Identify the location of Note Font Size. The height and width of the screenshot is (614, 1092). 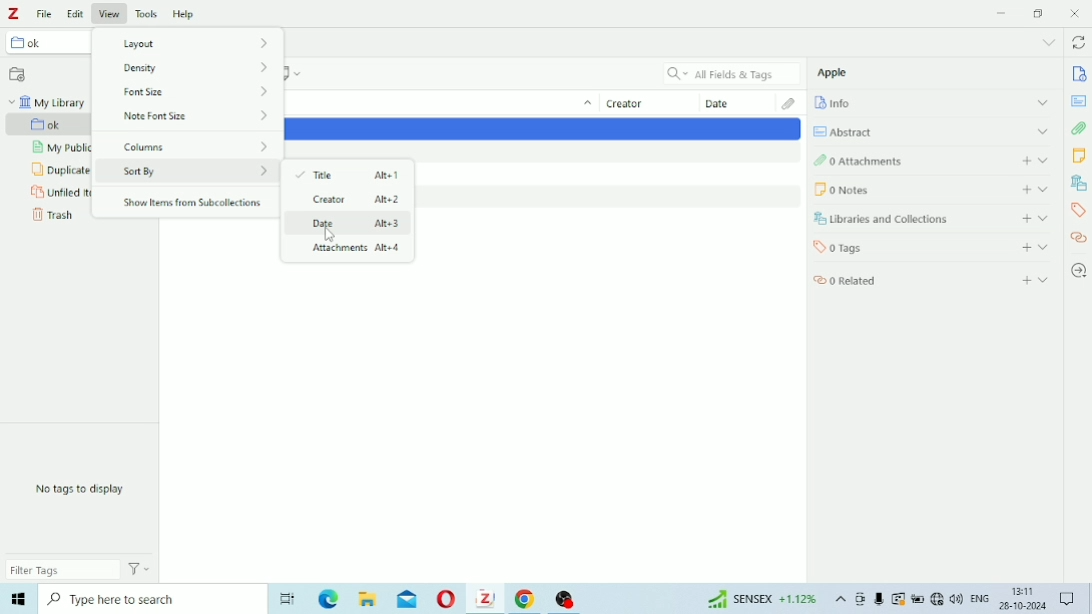
(197, 118).